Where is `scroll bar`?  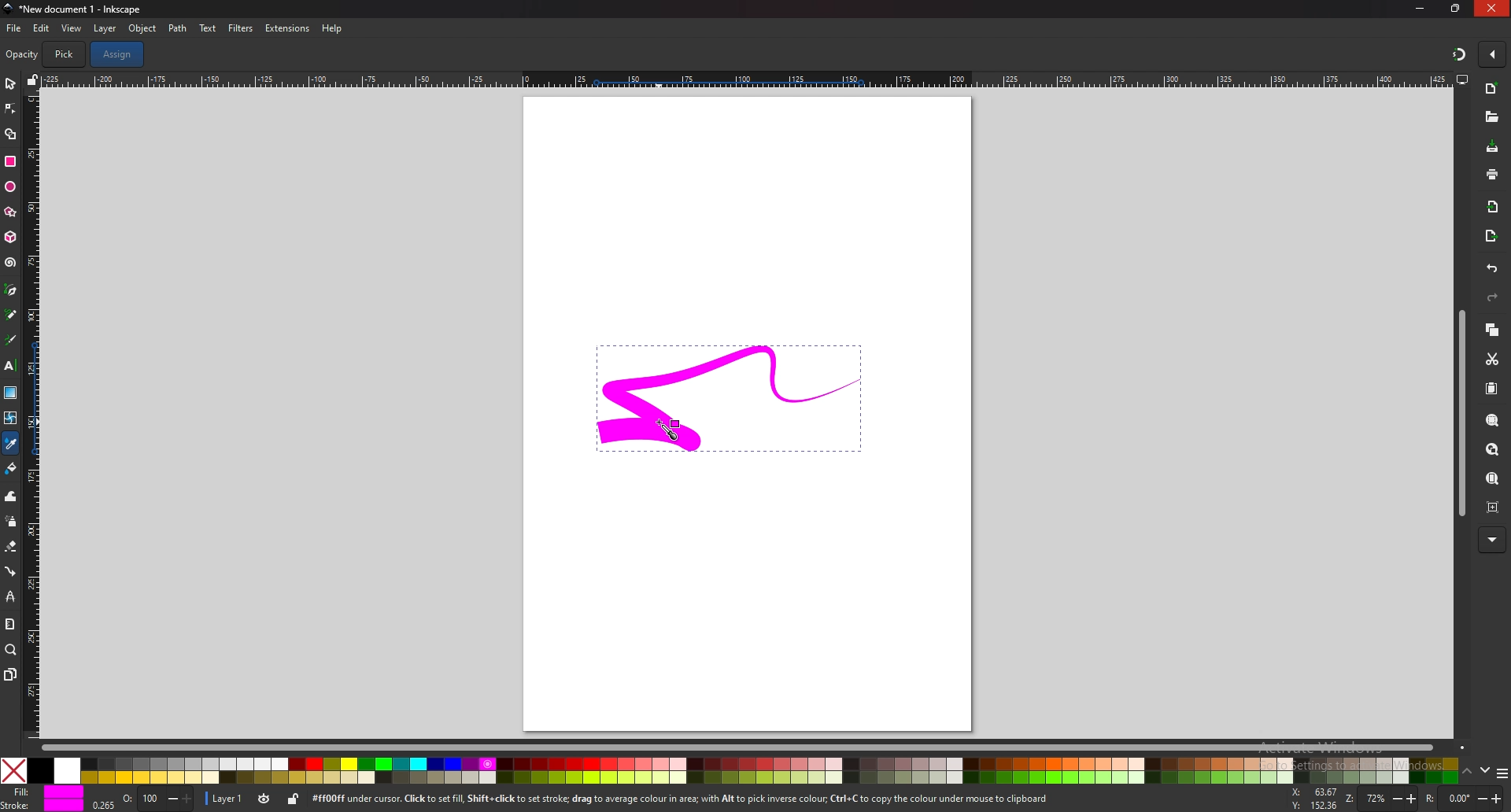
scroll bar is located at coordinates (753, 747).